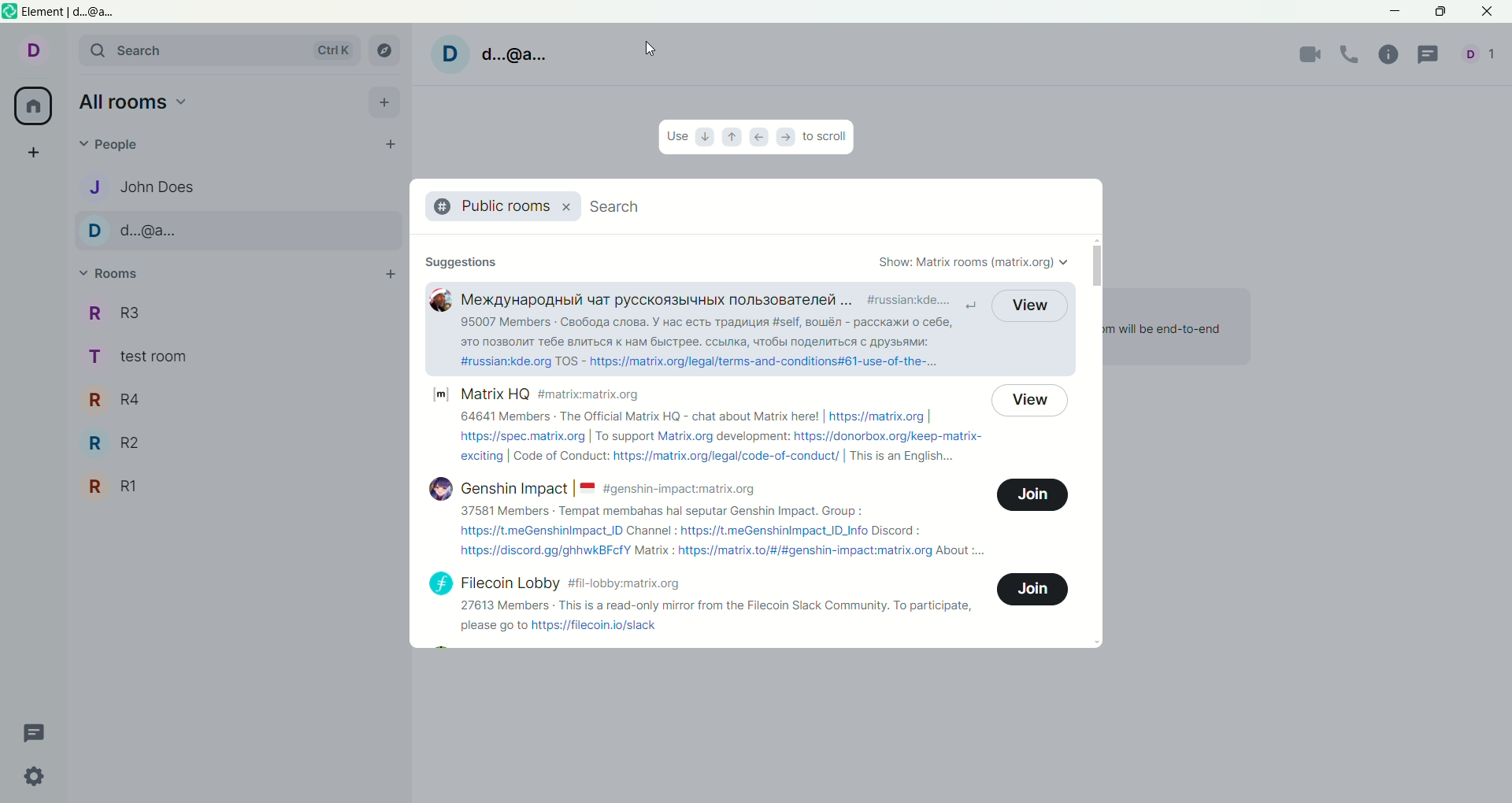 This screenshot has width=1512, height=803. I want to click on Indonesia flag, so click(588, 489).